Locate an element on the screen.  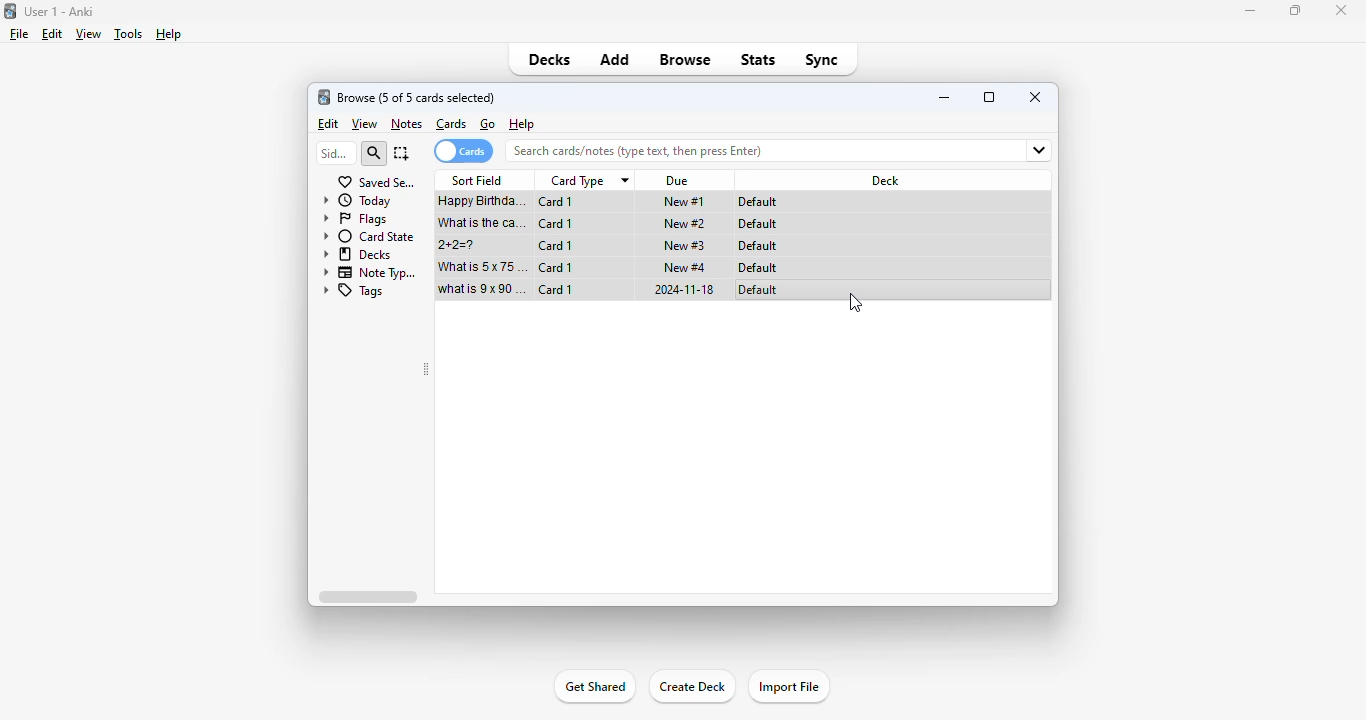
edit is located at coordinates (330, 124).